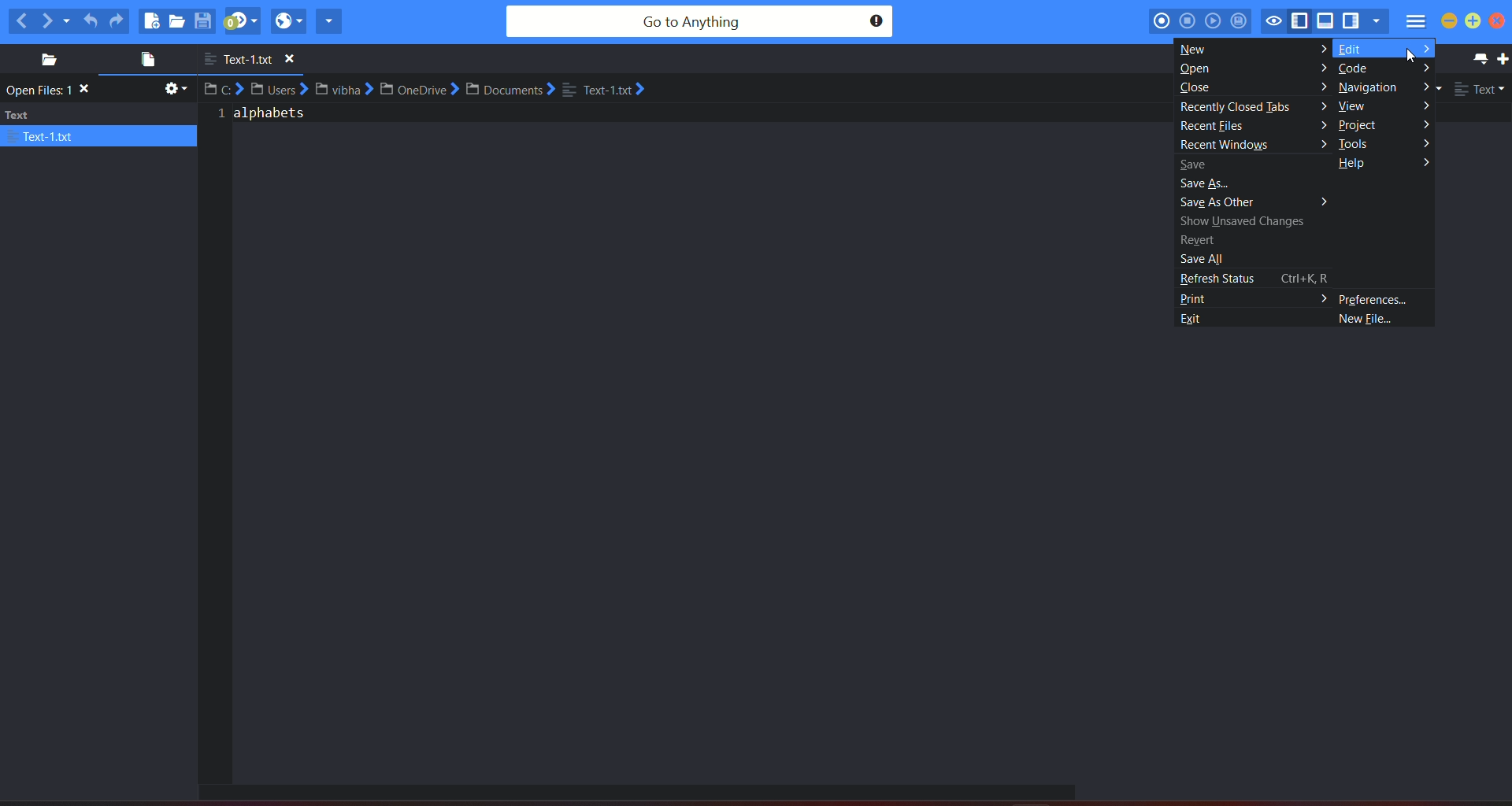 The width and height of the screenshot is (1512, 806). Describe the element at coordinates (99, 125) in the screenshot. I see `text` at that location.